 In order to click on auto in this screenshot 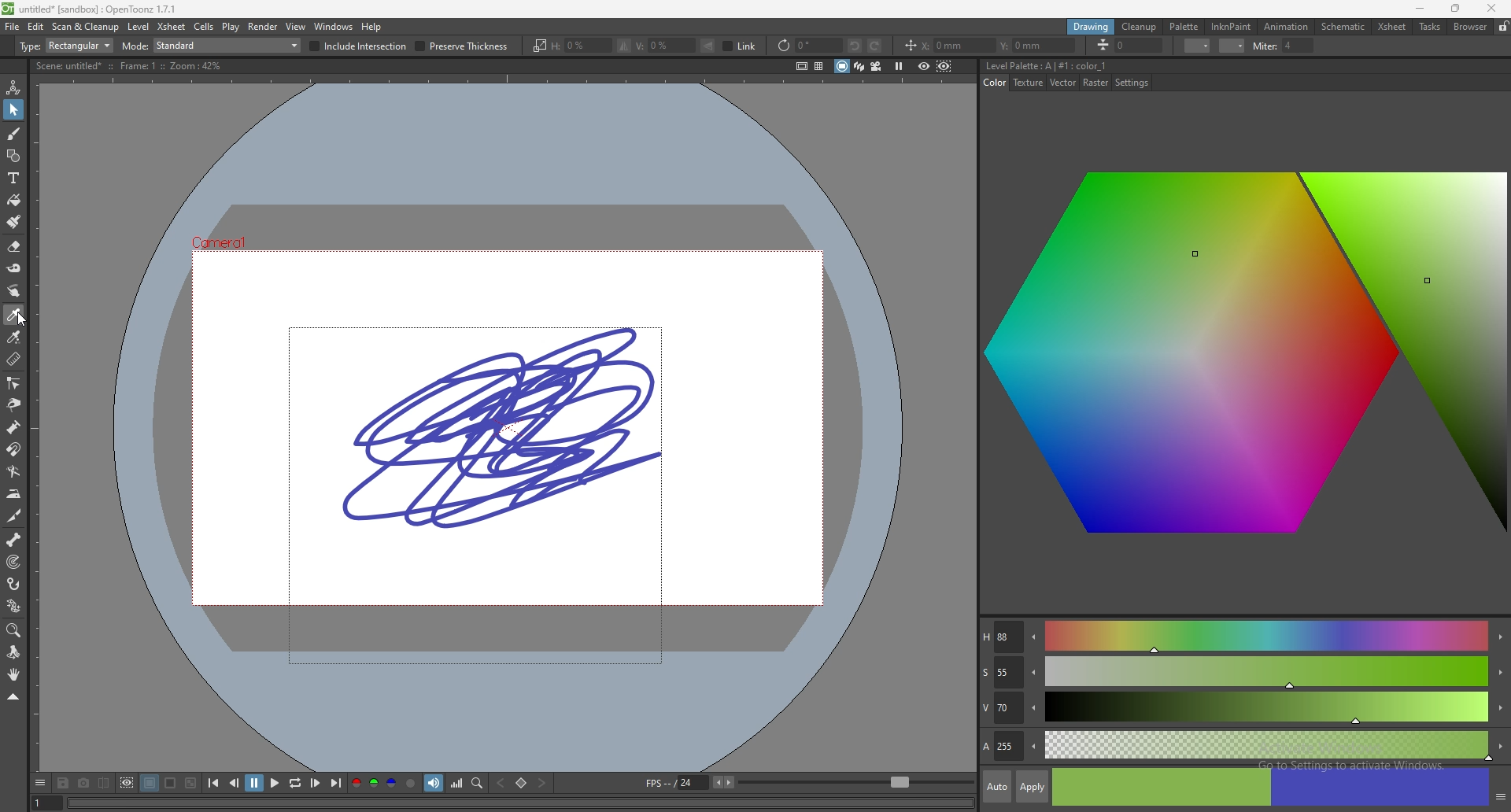, I will do `click(997, 787)`.